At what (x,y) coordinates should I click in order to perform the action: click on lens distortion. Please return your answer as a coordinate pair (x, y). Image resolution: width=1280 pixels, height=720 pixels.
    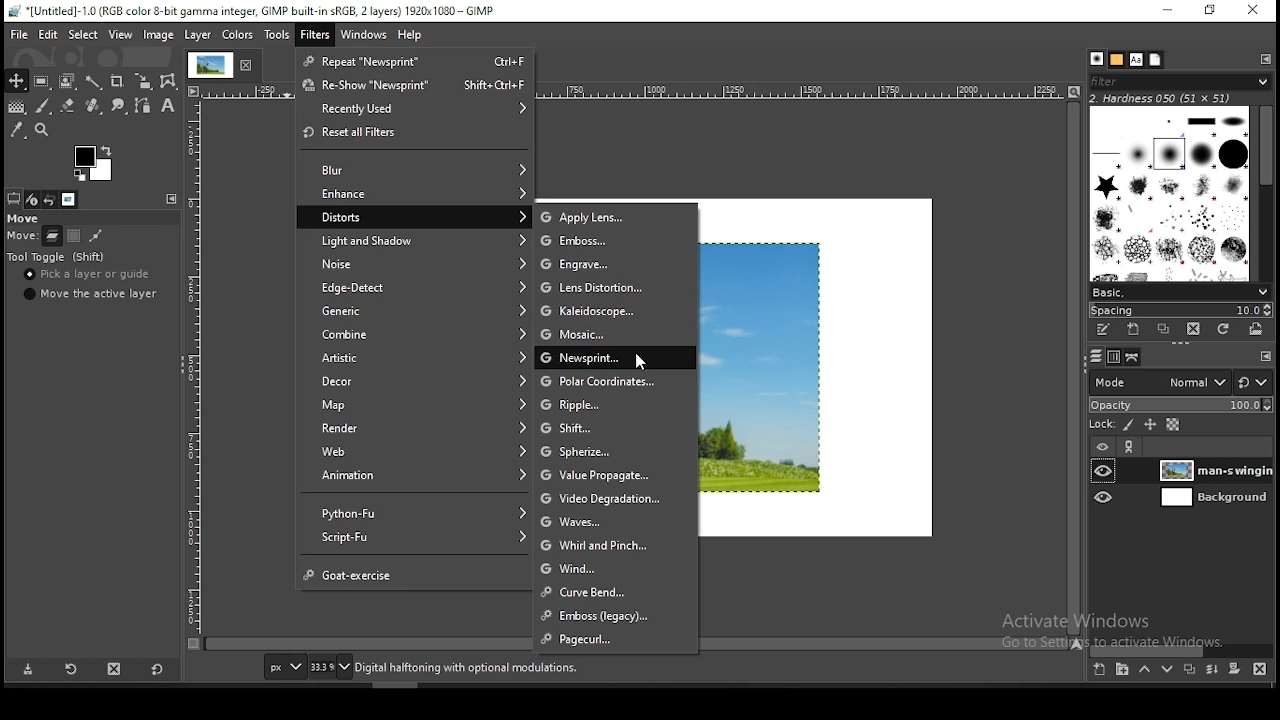
    Looking at the image, I should click on (616, 287).